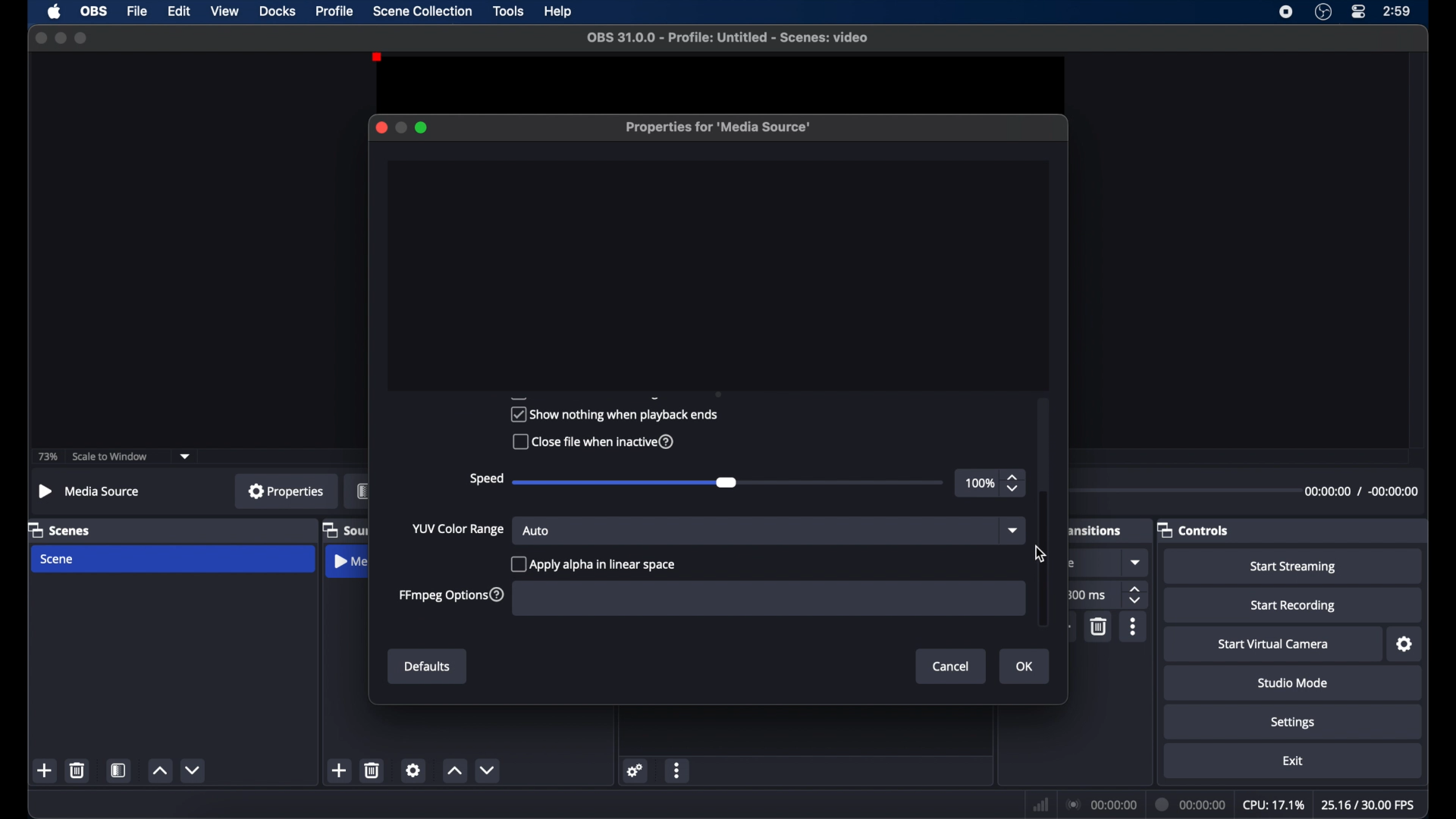  Describe the element at coordinates (1137, 562) in the screenshot. I see `dropdown` at that location.